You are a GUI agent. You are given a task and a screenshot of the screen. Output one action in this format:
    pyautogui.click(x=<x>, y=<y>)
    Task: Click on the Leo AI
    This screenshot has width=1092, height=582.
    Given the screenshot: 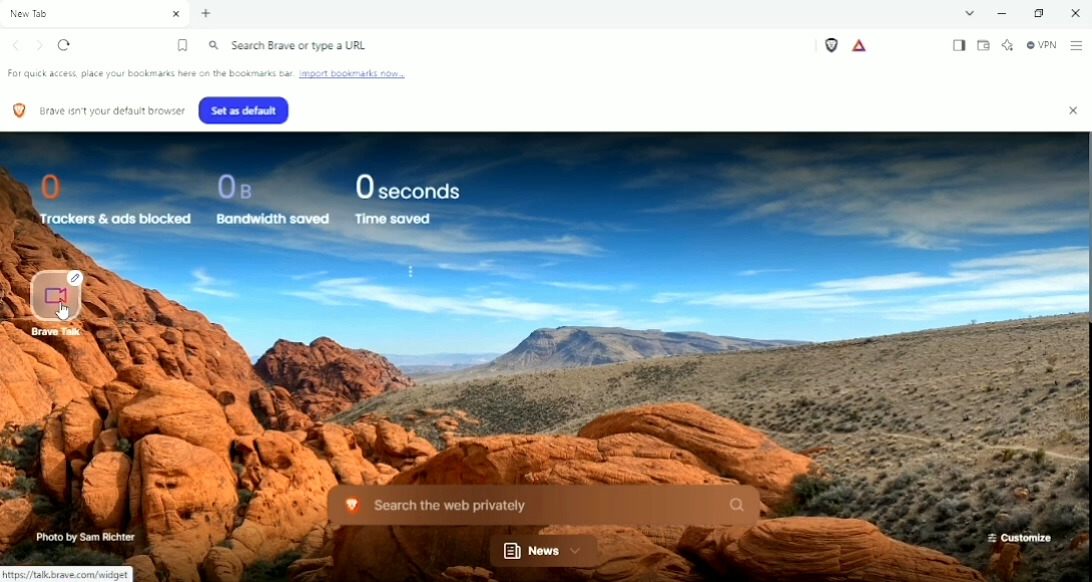 What is the action you would take?
    pyautogui.click(x=1007, y=45)
    